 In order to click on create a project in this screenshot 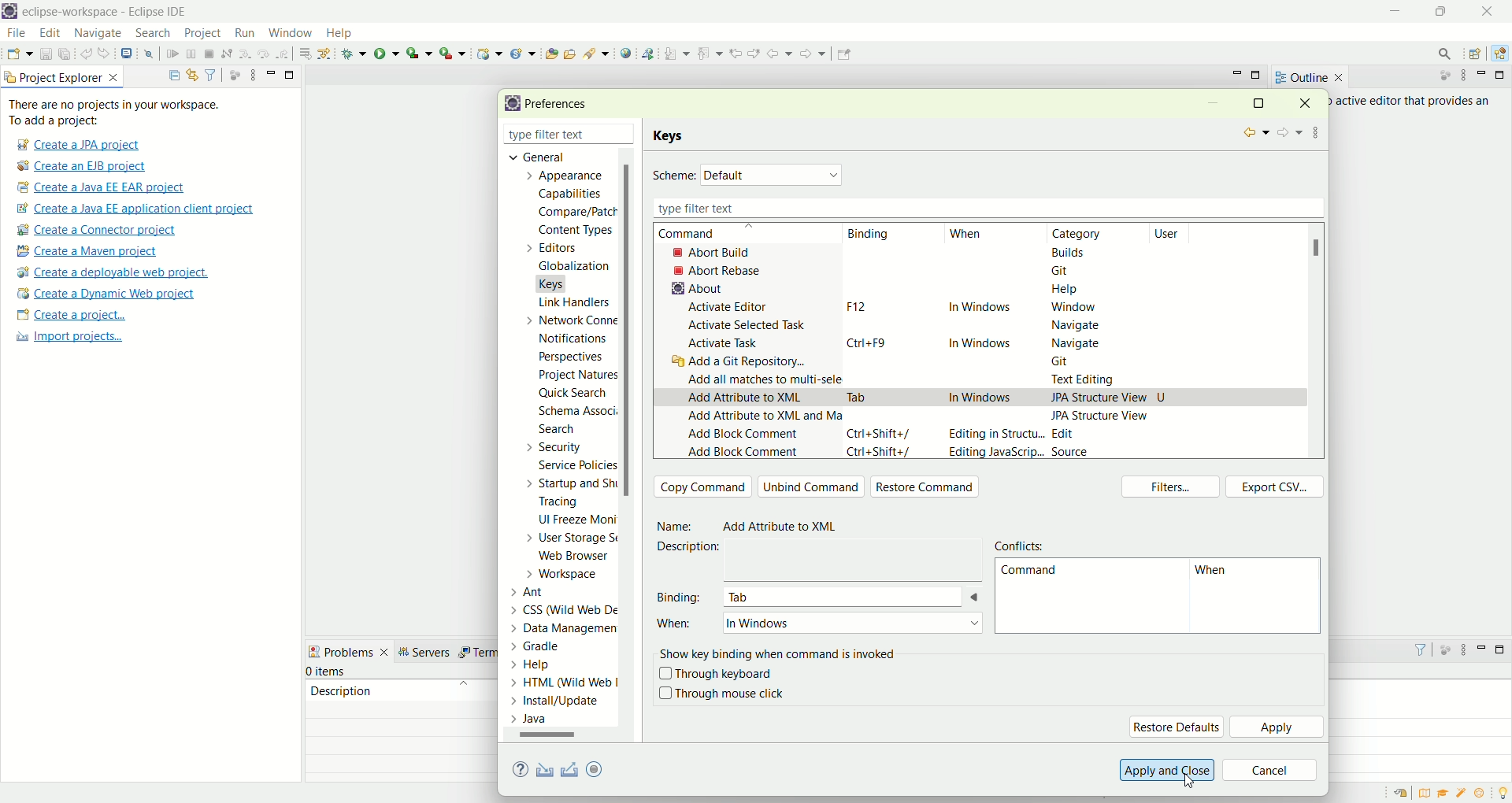, I will do `click(72, 316)`.